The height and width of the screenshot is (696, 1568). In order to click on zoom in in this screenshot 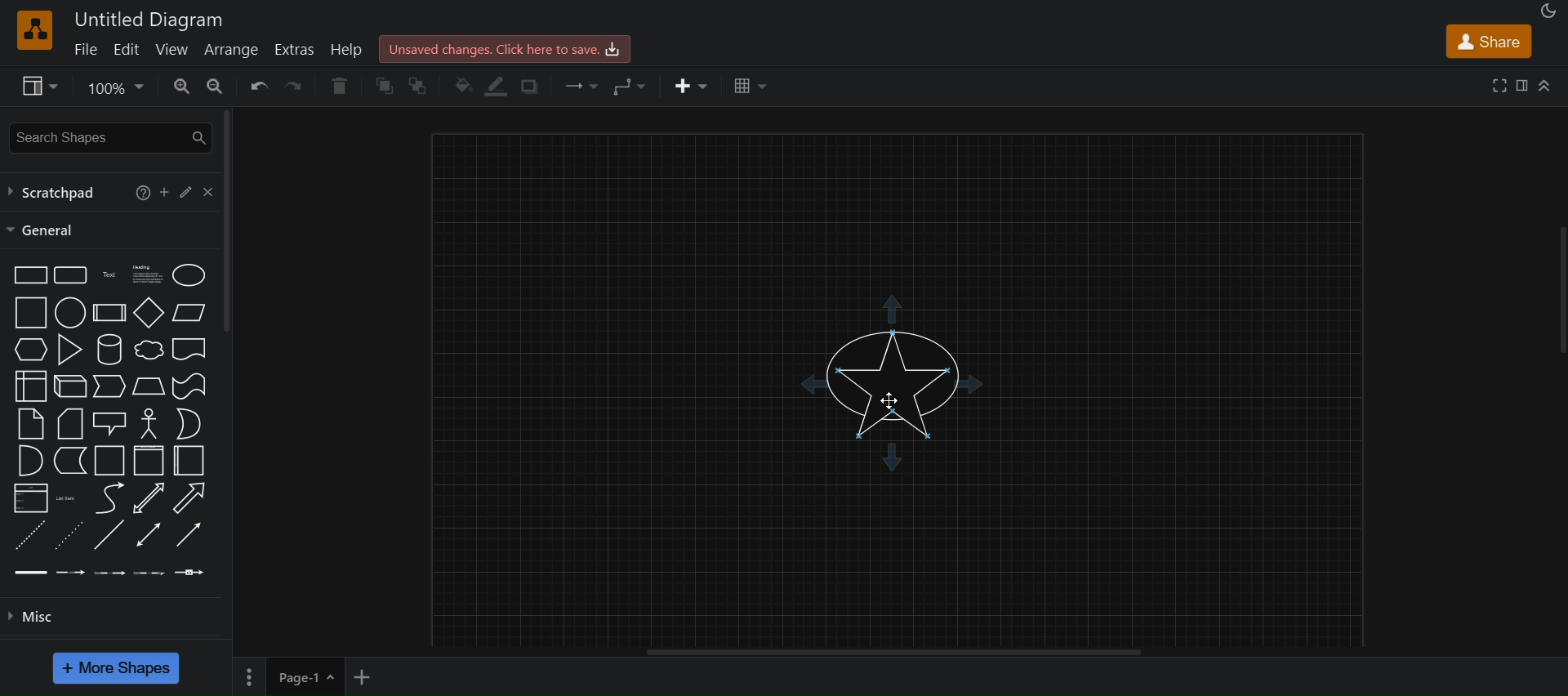, I will do `click(180, 86)`.